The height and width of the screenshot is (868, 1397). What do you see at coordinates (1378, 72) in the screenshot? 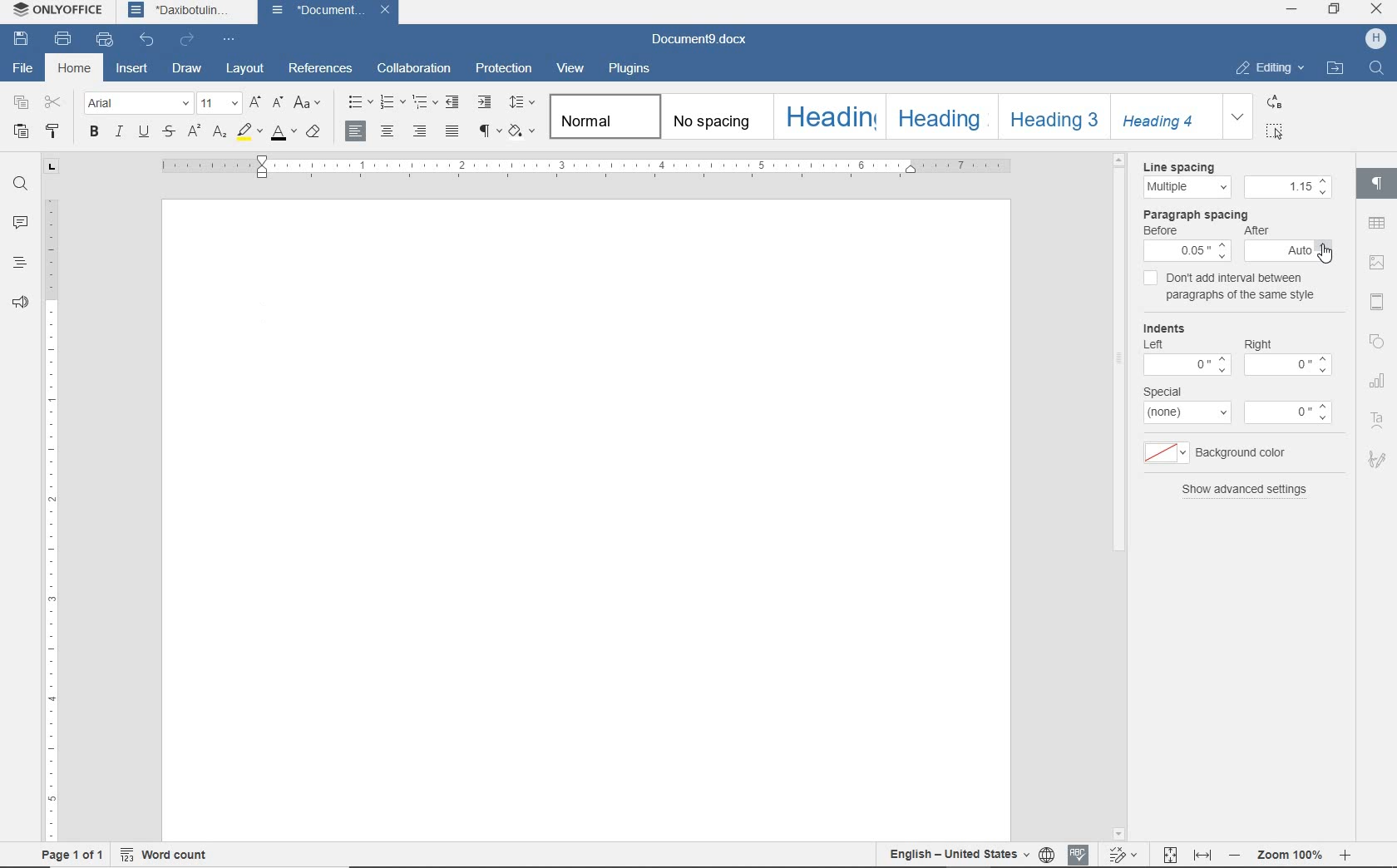
I see `FIND` at bounding box center [1378, 72].